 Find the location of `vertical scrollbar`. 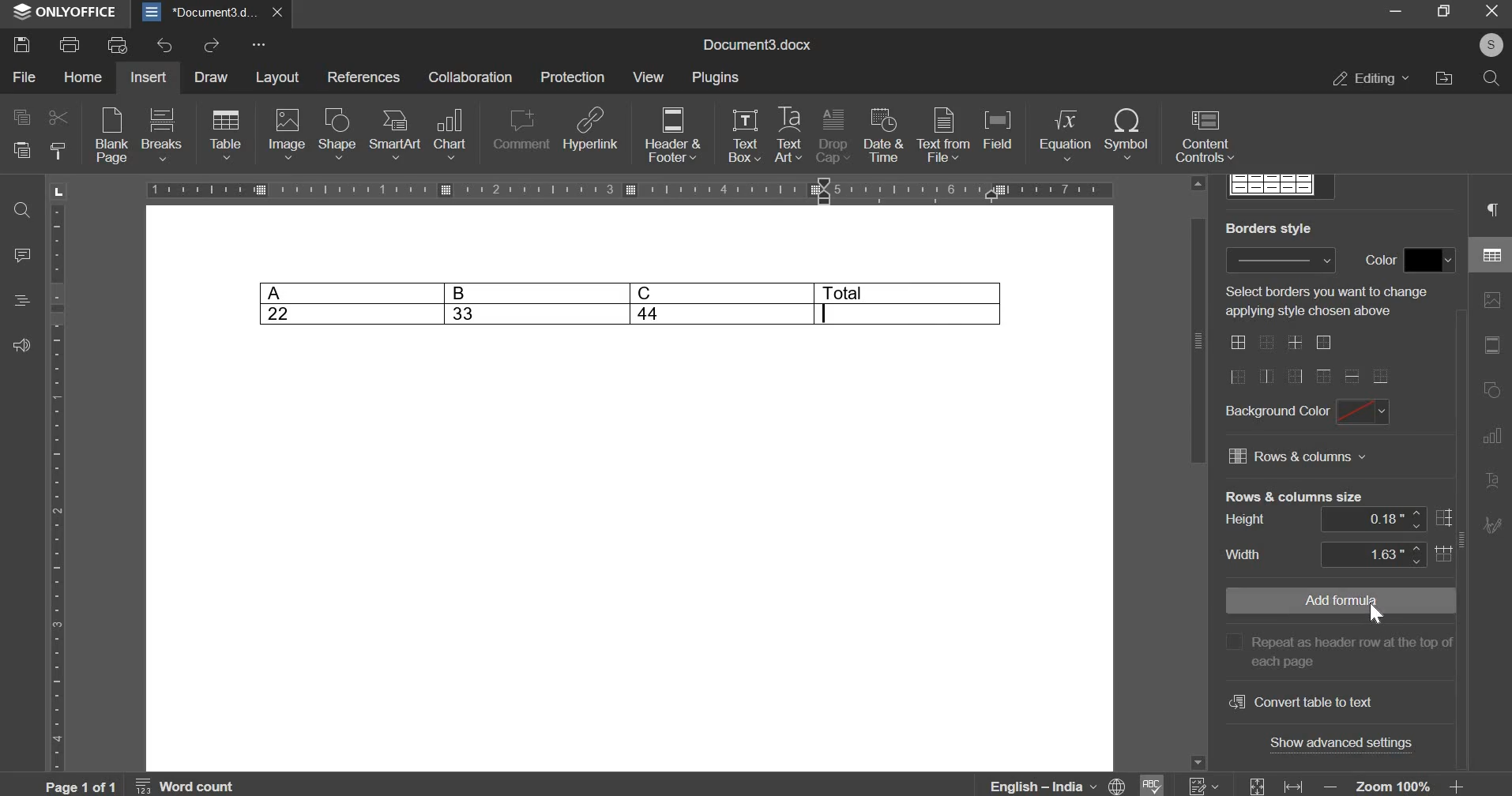

vertical scrollbar is located at coordinates (1461, 539).